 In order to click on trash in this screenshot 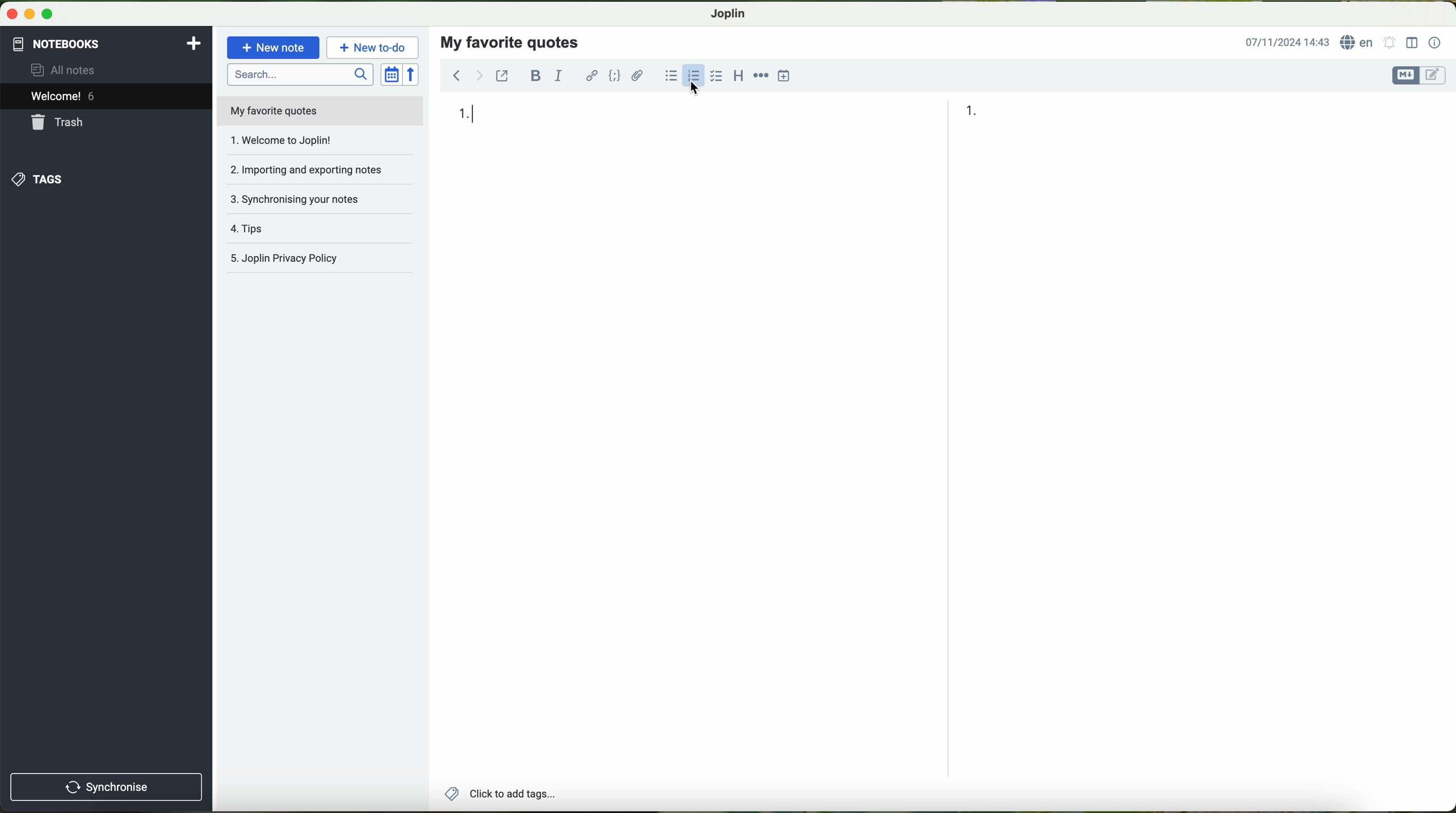, I will do `click(107, 123)`.